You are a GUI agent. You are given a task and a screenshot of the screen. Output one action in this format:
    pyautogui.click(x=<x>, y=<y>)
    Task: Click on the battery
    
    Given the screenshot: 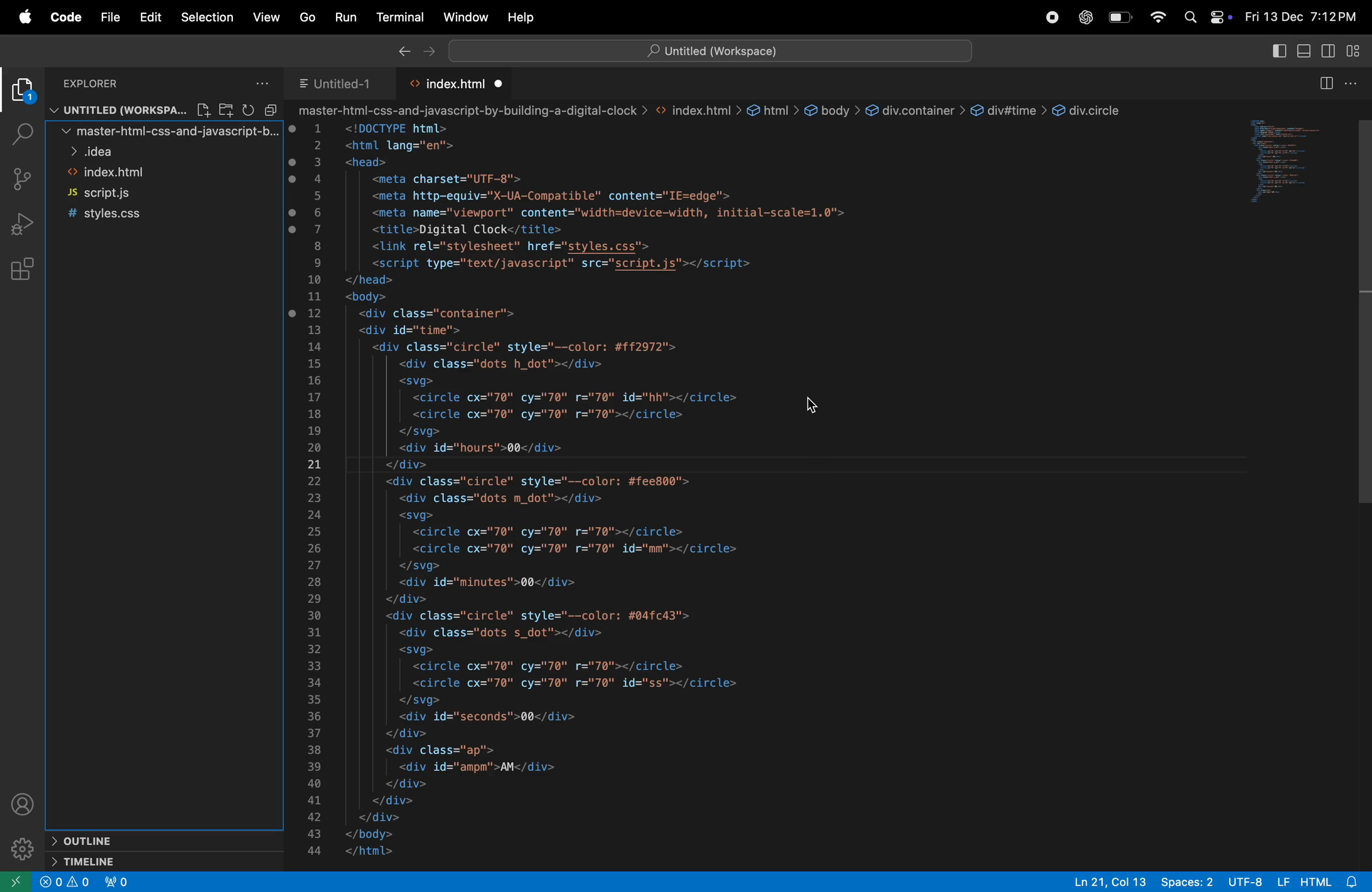 What is the action you would take?
    pyautogui.click(x=1120, y=18)
    